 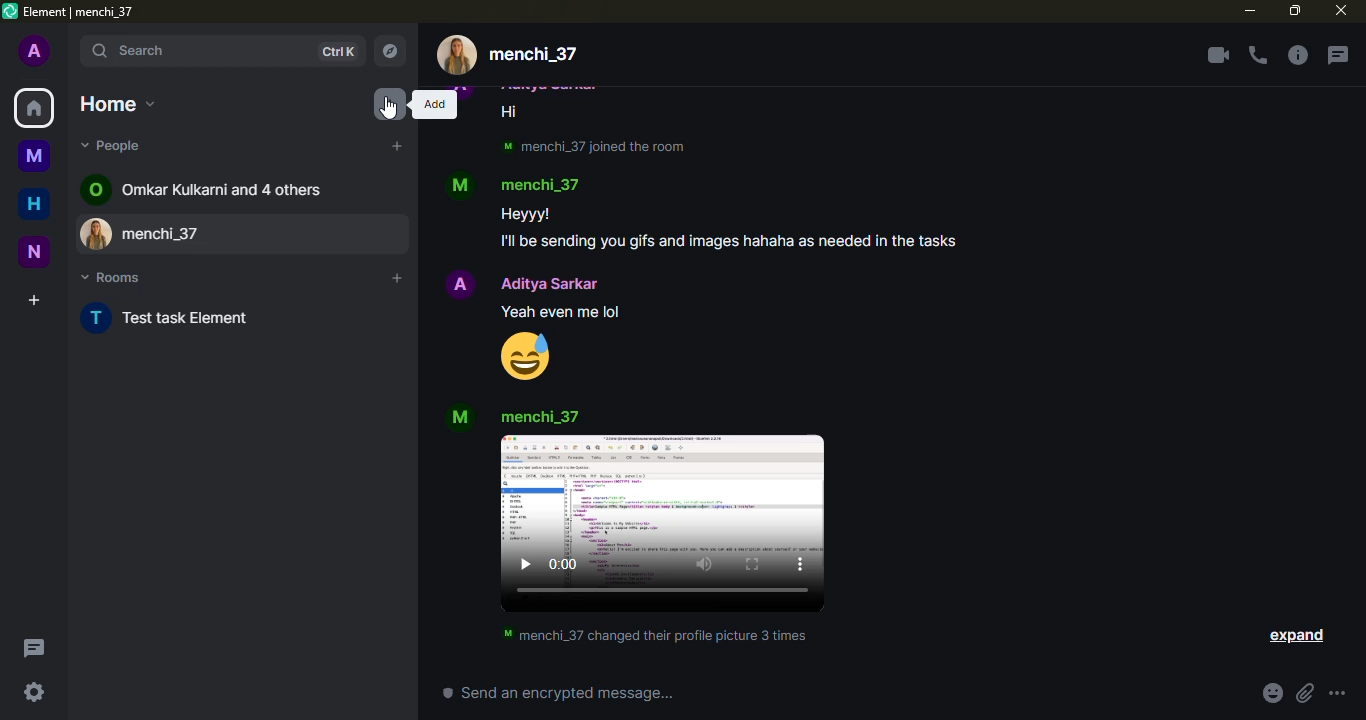 What do you see at coordinates (561, 312) in the screenshot?
I see `Yeah even me lol` at bounding box center [561, 312].